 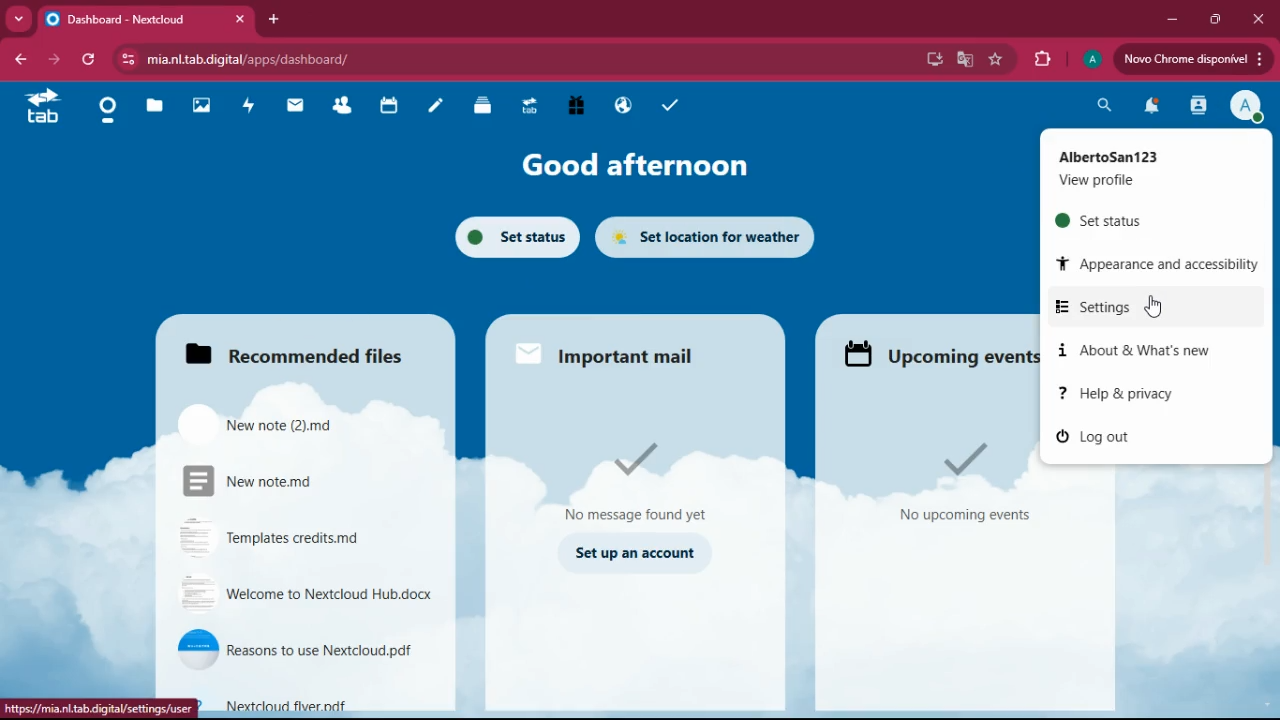 I want to click on favorite, so click(x=996, y=61).